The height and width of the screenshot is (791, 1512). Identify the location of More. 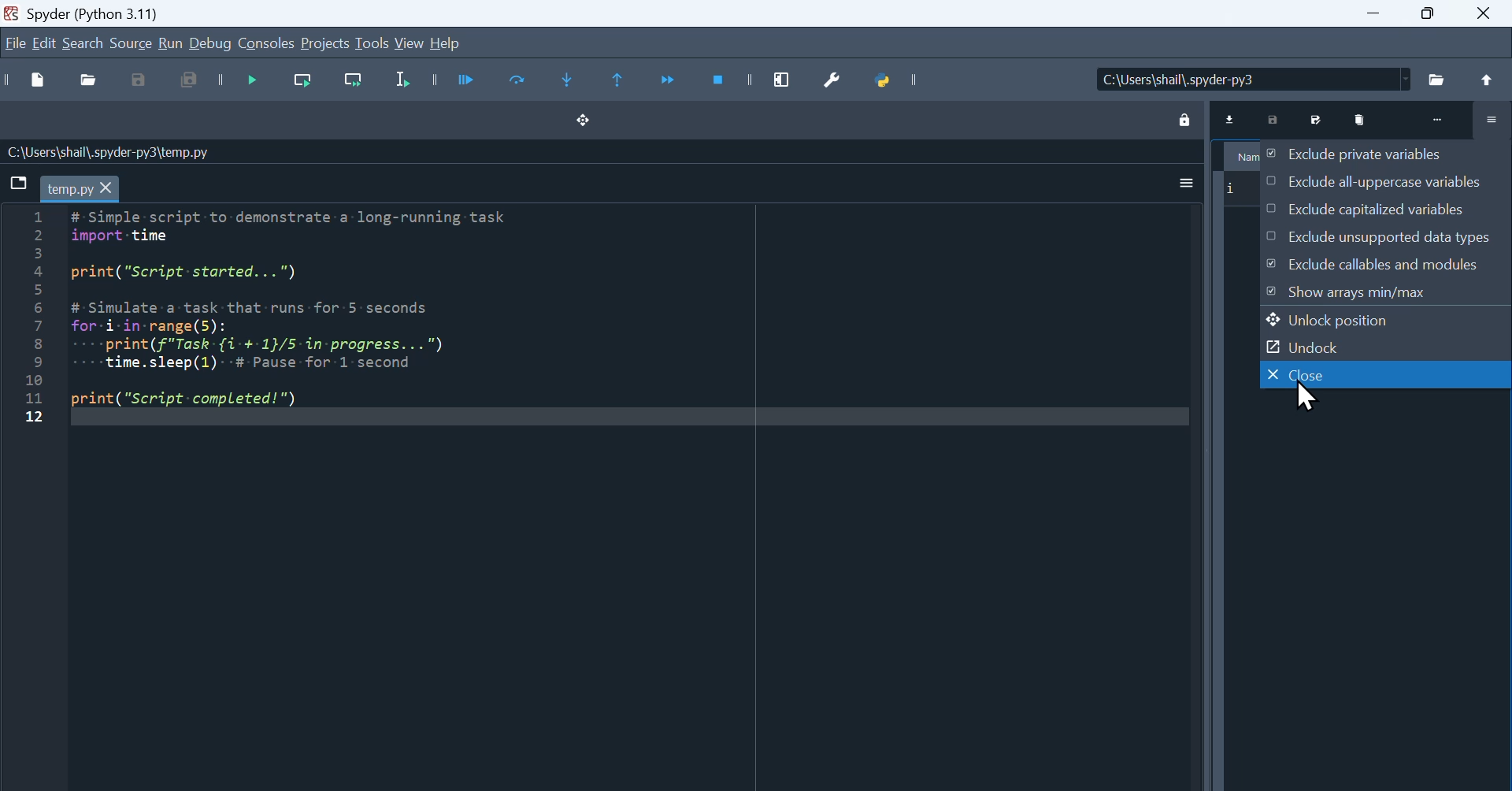
(1438, 118).